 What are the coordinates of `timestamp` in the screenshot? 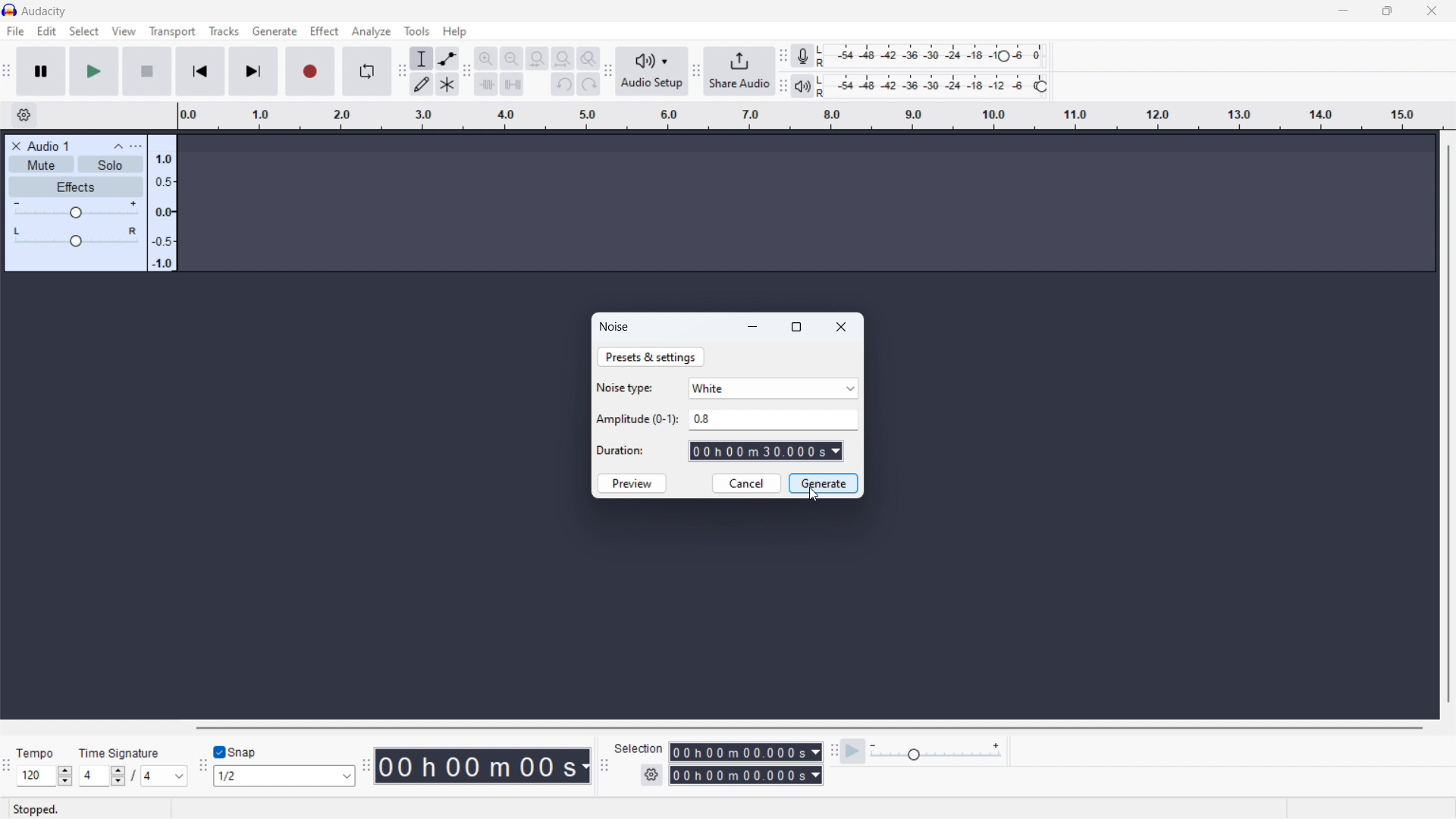 It's located at (482, 766).